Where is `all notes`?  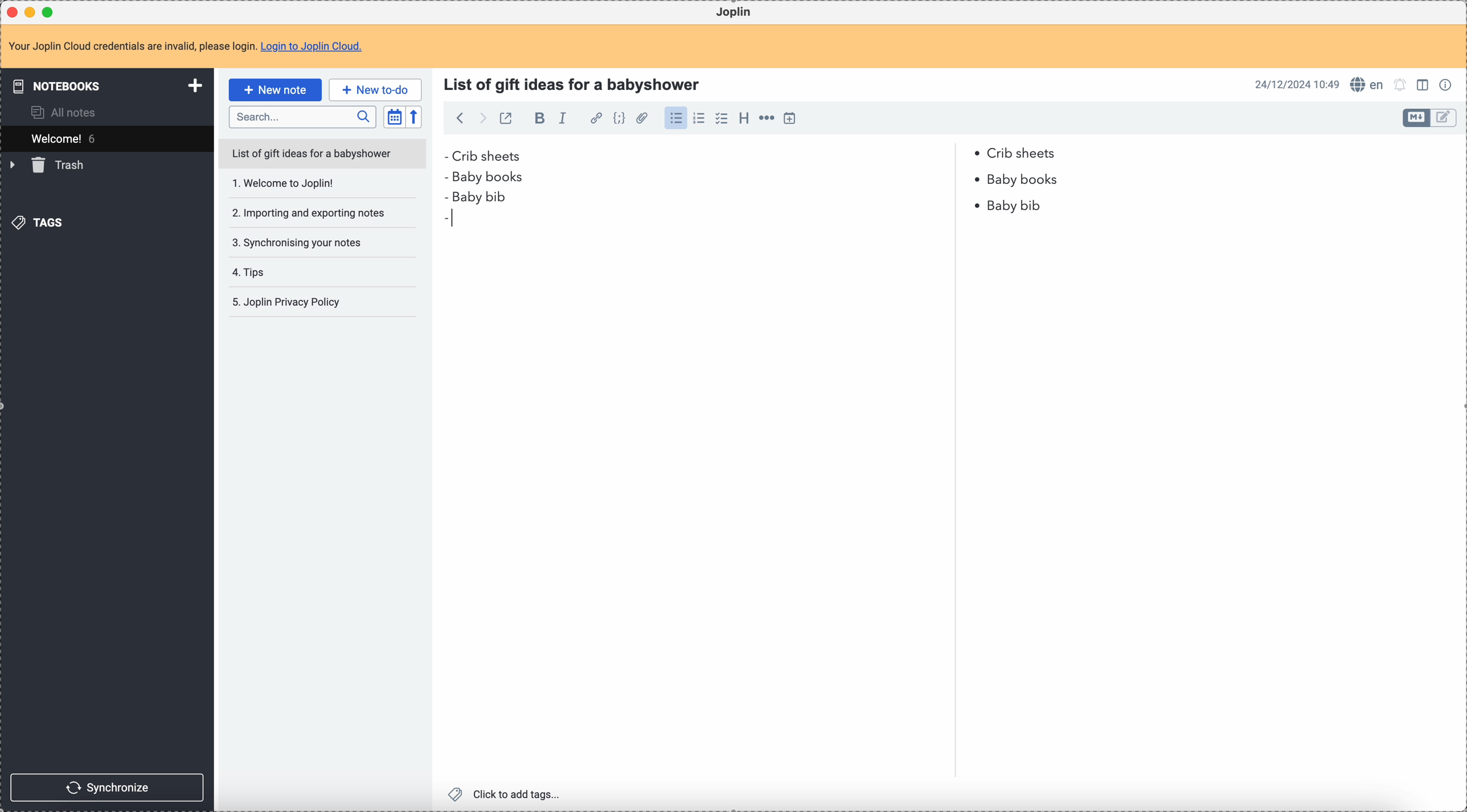
all notes is located at coordinates (65, 112).